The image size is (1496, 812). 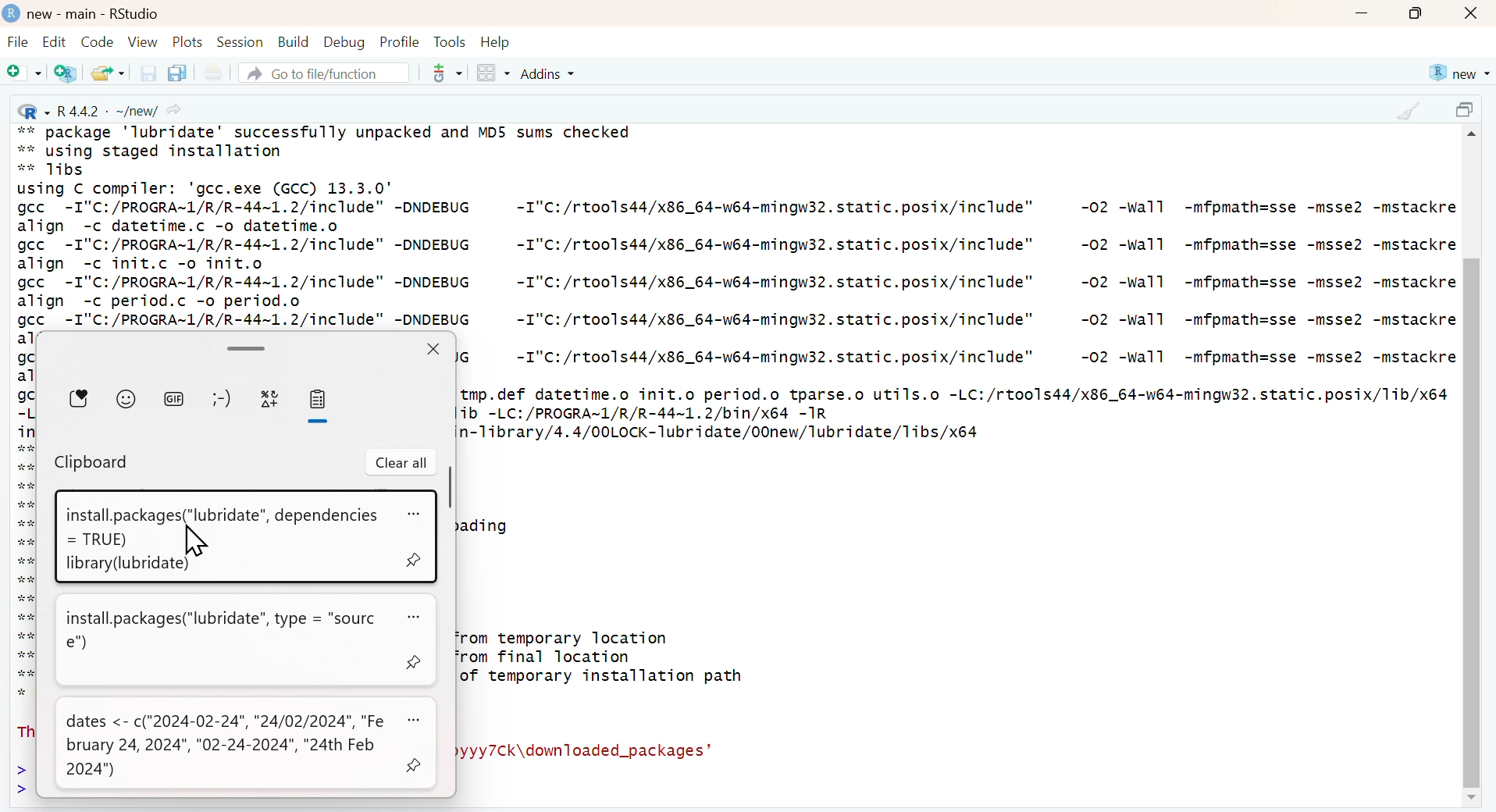 What do you see at coordinates (220, 399) in the screenshot?
I see `Emoticon` at bounding box center [220, 399].